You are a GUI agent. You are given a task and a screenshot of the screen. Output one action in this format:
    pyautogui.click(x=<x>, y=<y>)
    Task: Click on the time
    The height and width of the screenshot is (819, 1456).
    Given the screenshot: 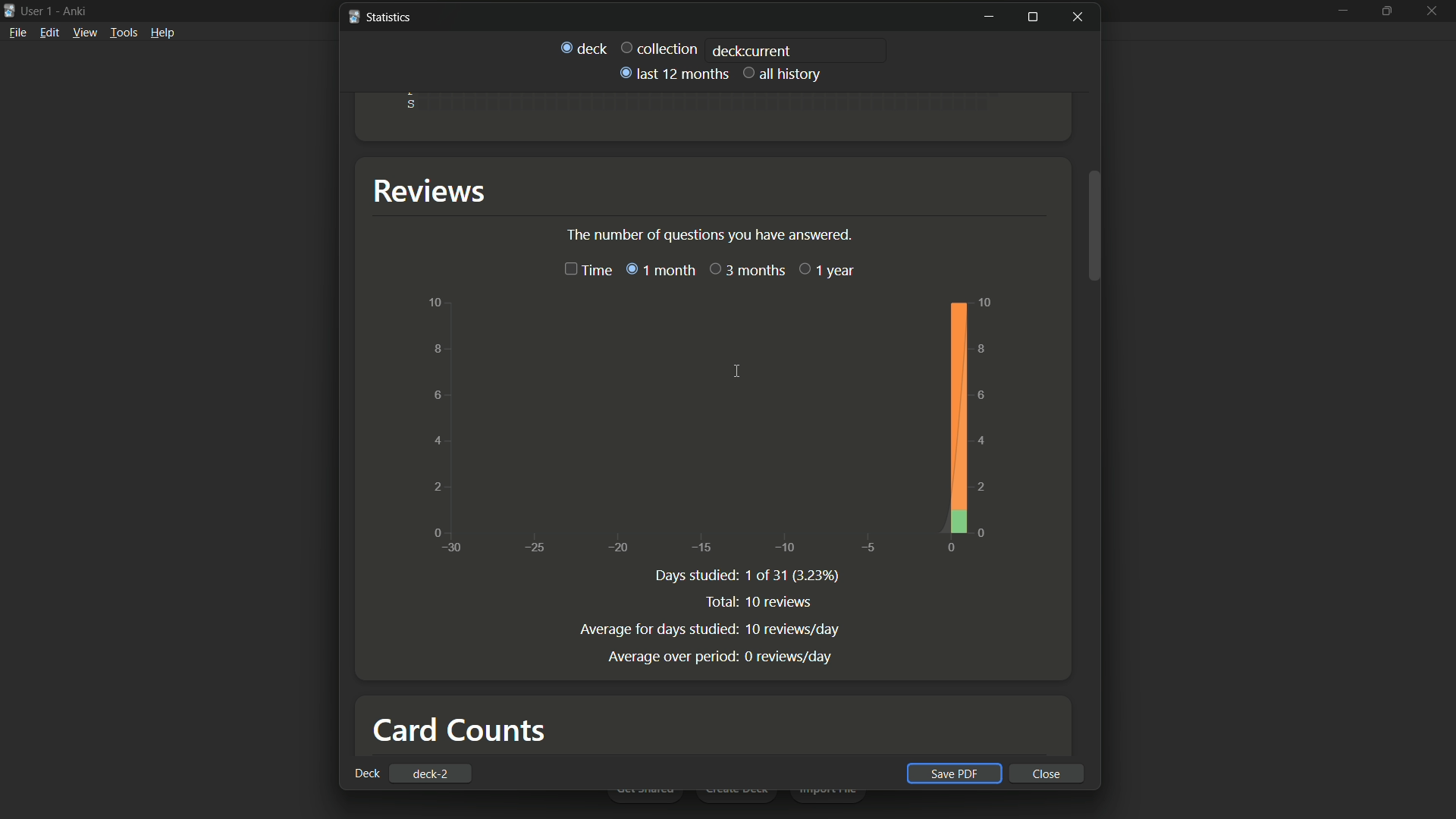 What is the action you would take?
    pyautogui.click(x=585, y=271)
    